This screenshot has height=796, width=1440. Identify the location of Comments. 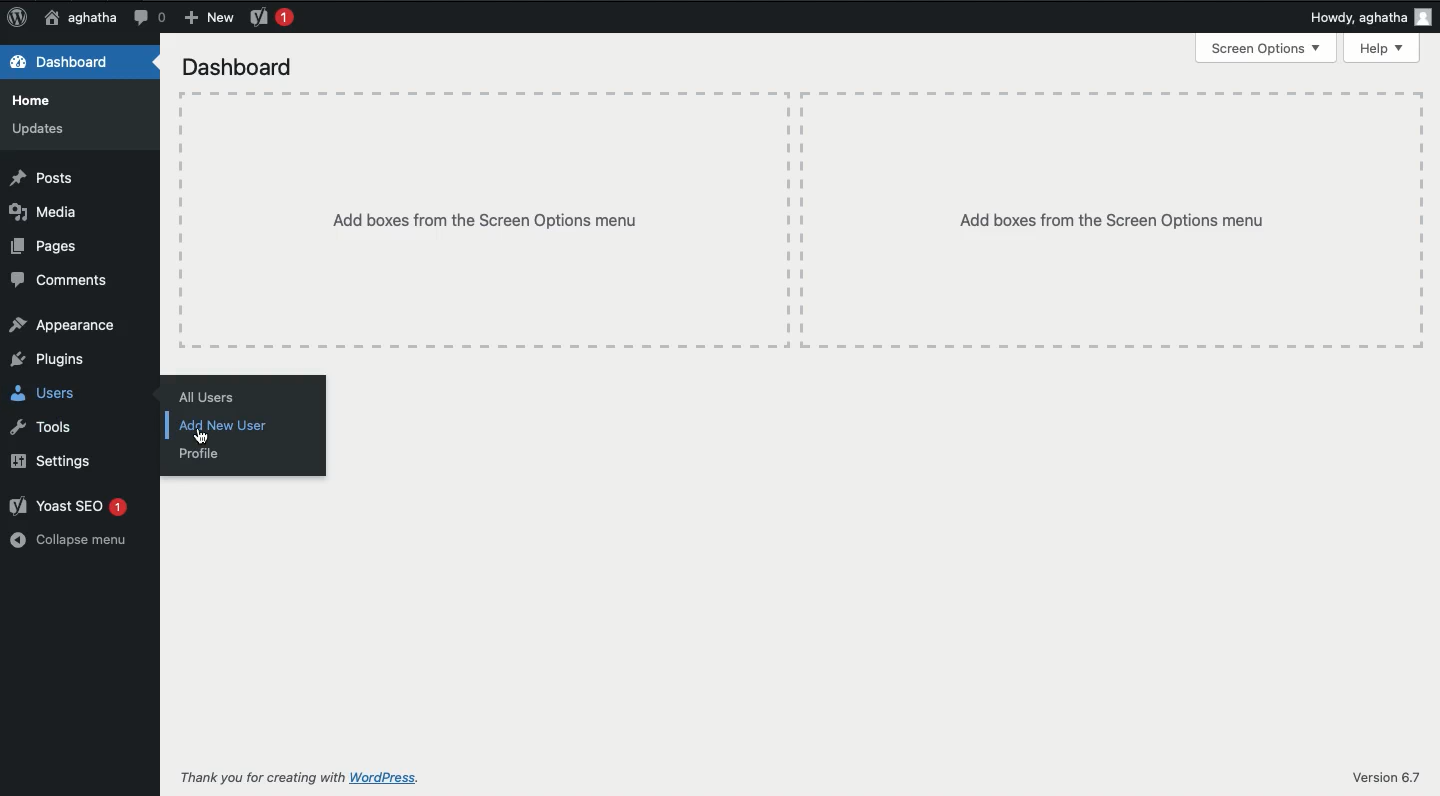
(58, 279).